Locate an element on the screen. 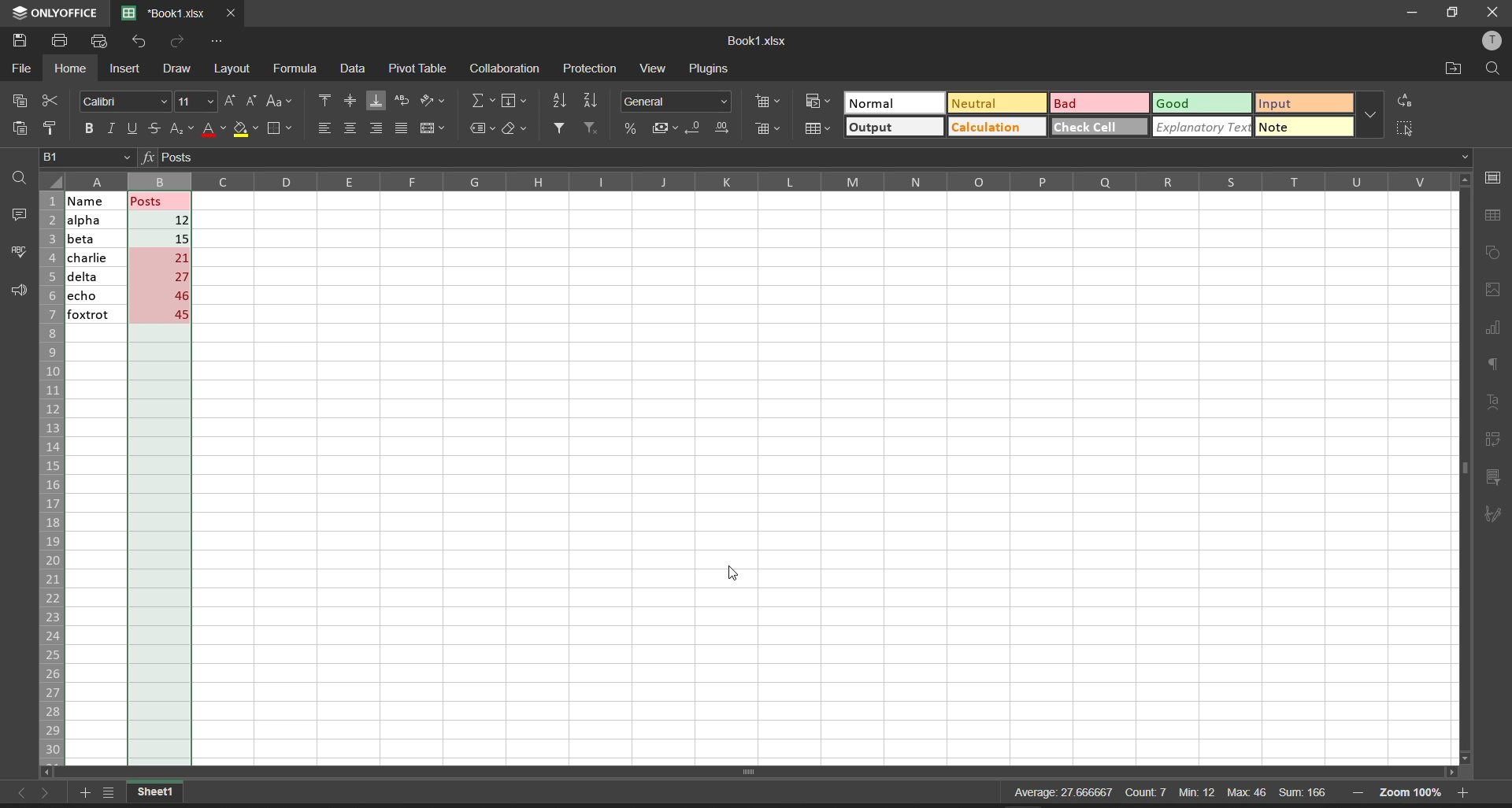 The width and height of the screenshot is (1512, 808). data is located at coordinates (356, 69).